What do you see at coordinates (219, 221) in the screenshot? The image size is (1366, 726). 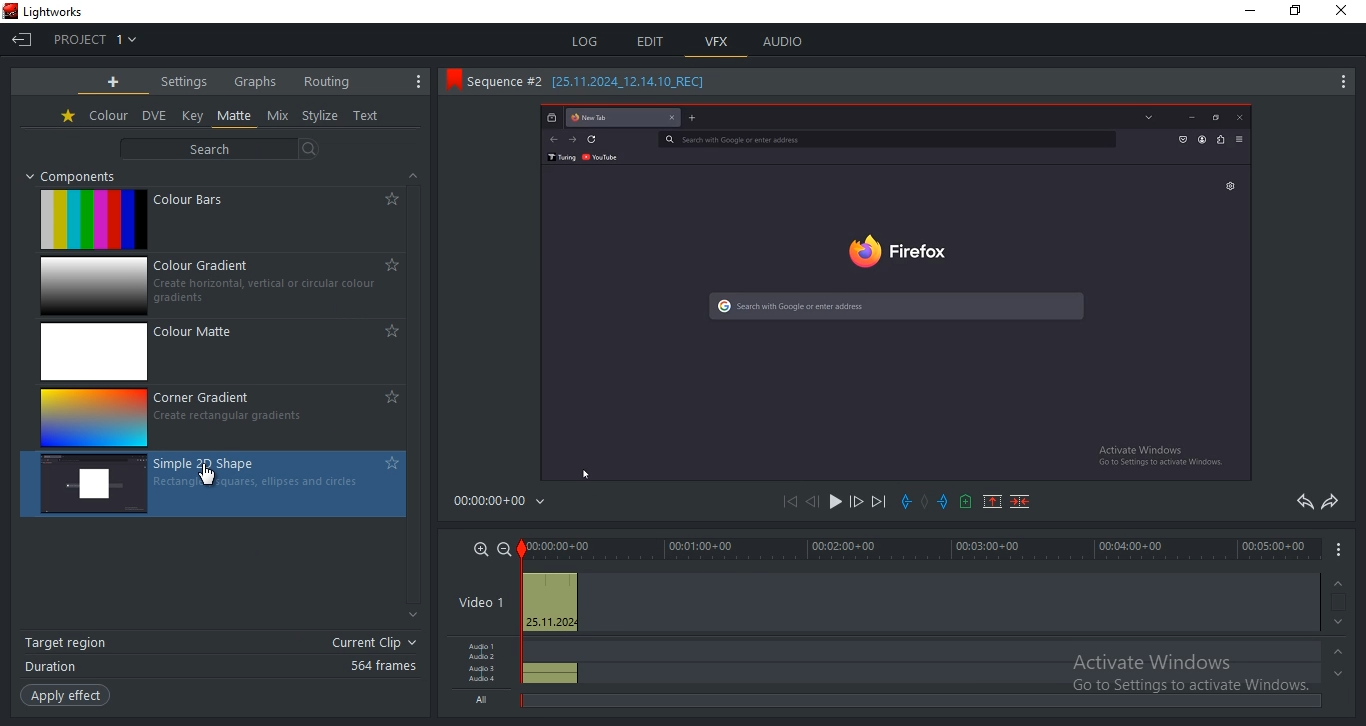 I see `colour bars` at bounding box center [219, 221].